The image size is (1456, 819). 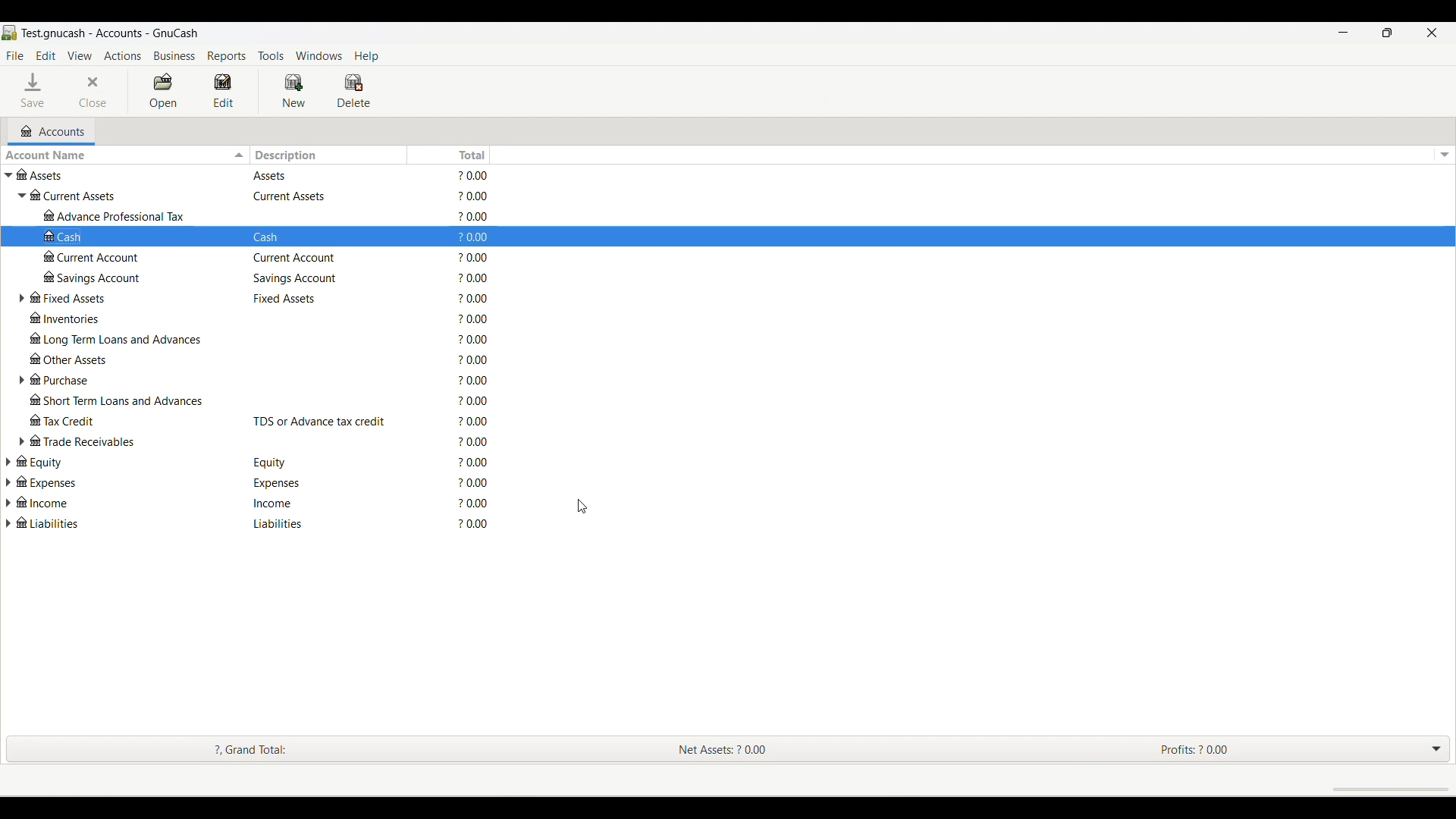 What do you see at coordinates (366, 56) in the screenshot?
I see `Help` at bounding box center [366, 56].